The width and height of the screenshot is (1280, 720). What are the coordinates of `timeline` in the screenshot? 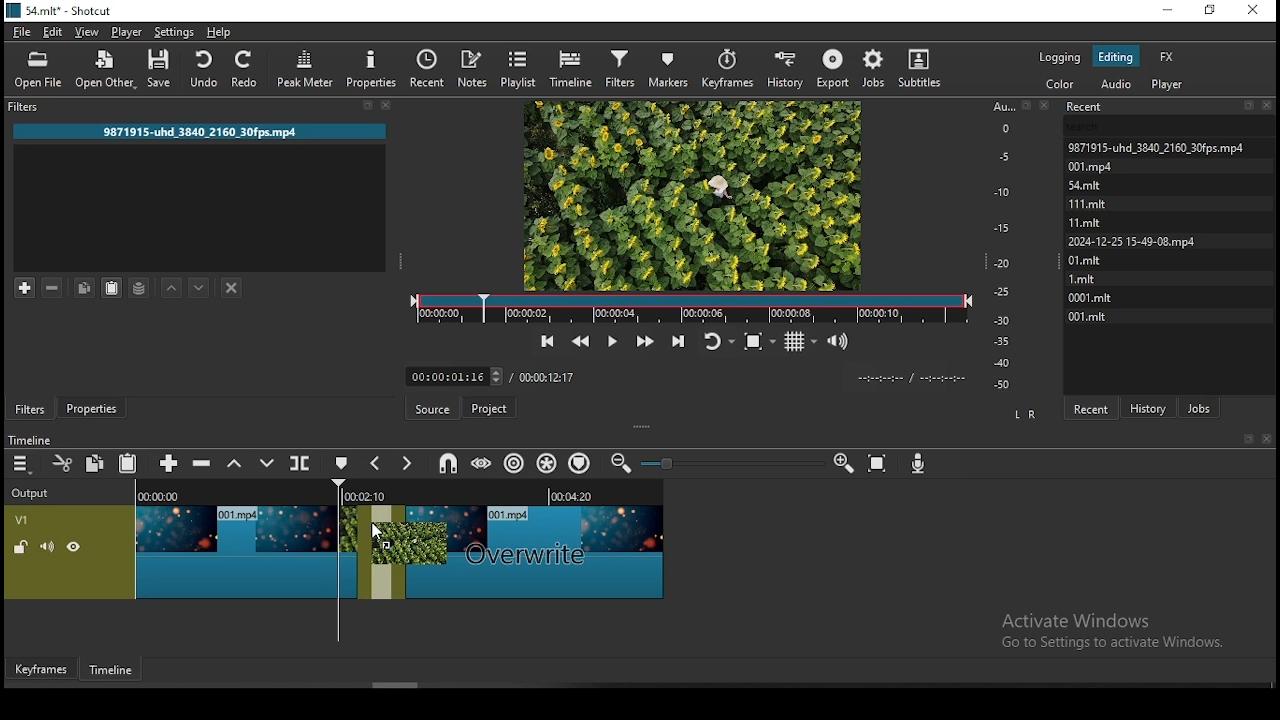 It's located at (113, 673).